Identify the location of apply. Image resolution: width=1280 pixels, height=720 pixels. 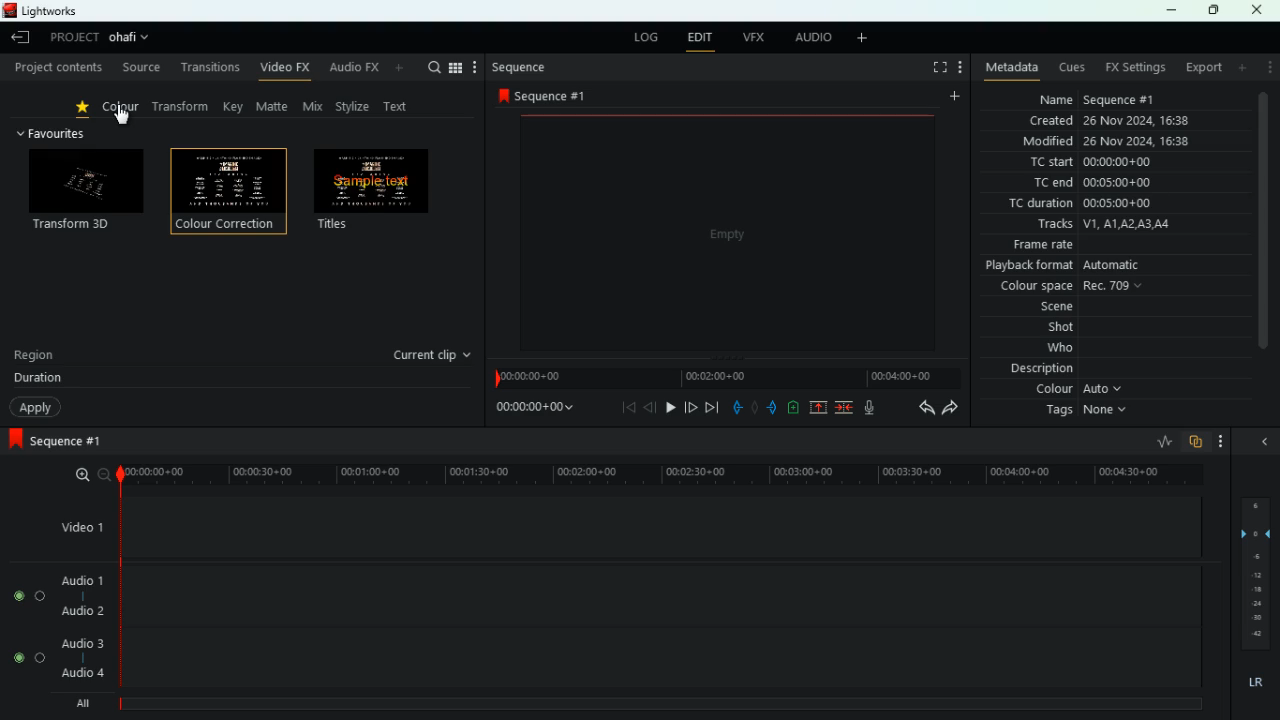
(36, 408).